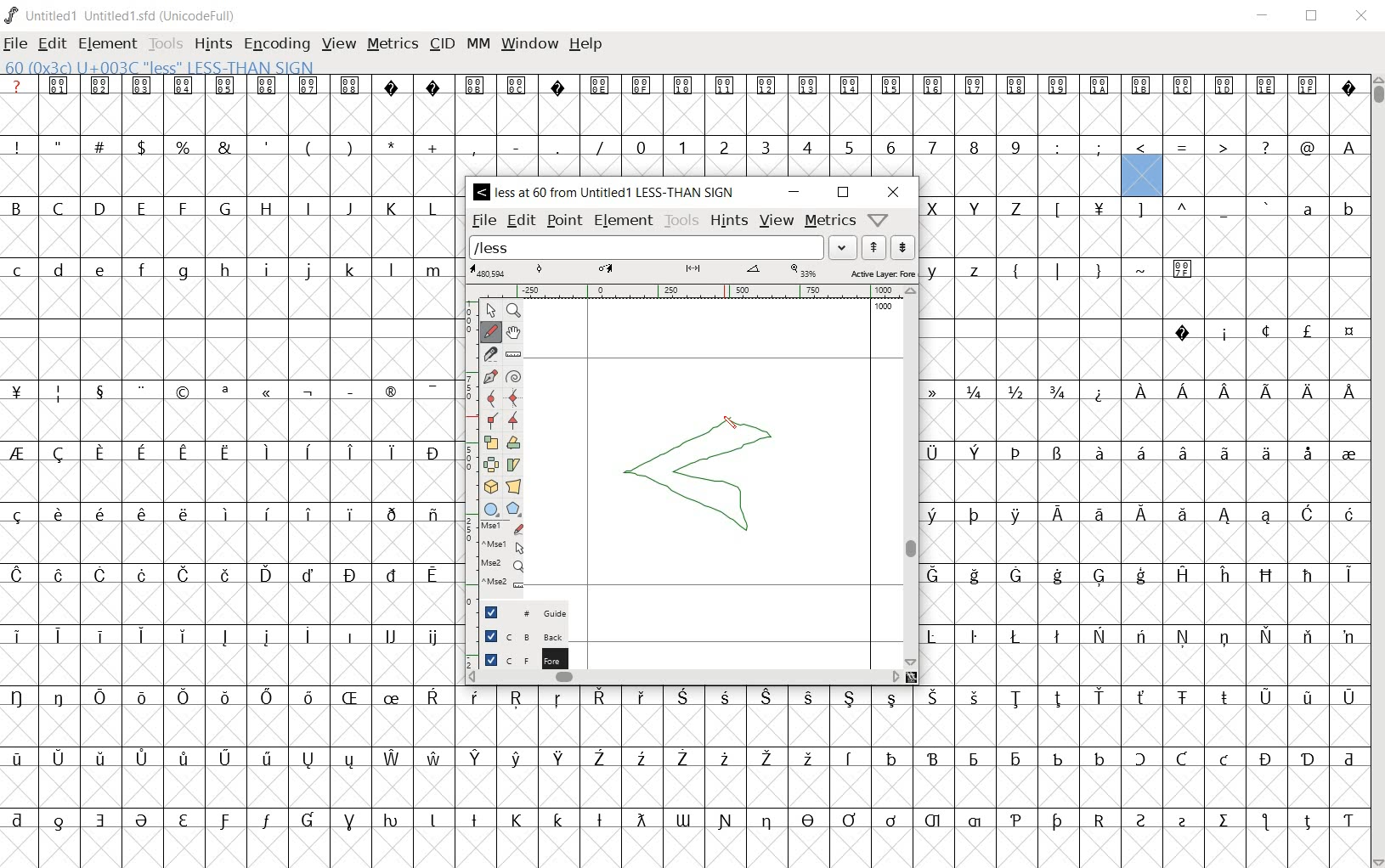 Image resolution: width=1385 pixels, height=868 pixels. I want to click on special symbols, so click(682, 85).